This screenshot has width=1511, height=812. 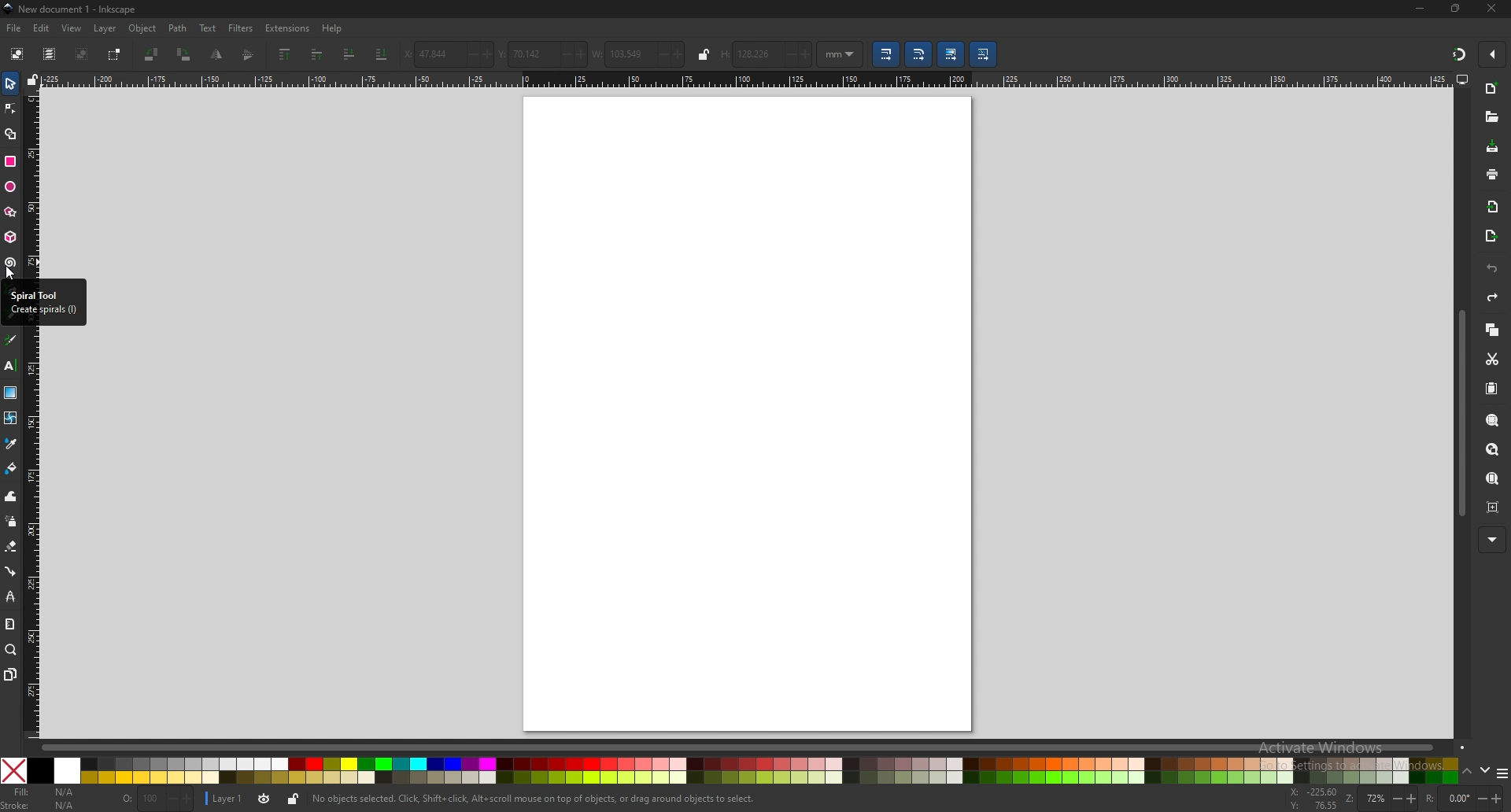 What do you see at coordinates (1457, 54) in the screenshot?
I see `snapping` at bounding box center [1457, 54].